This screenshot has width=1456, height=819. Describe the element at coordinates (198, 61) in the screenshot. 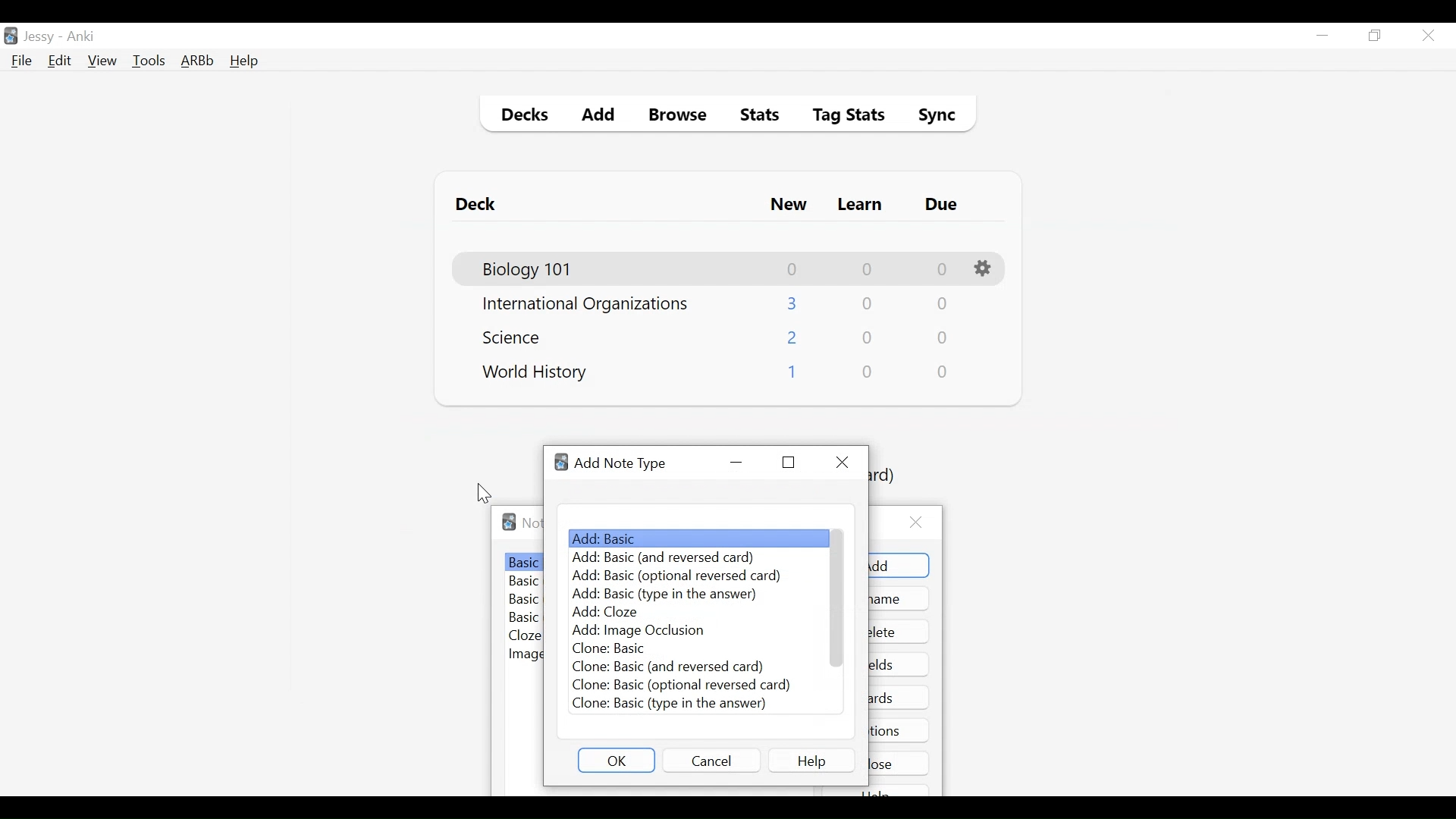

I see `Advanced Review Button bar` at that location.